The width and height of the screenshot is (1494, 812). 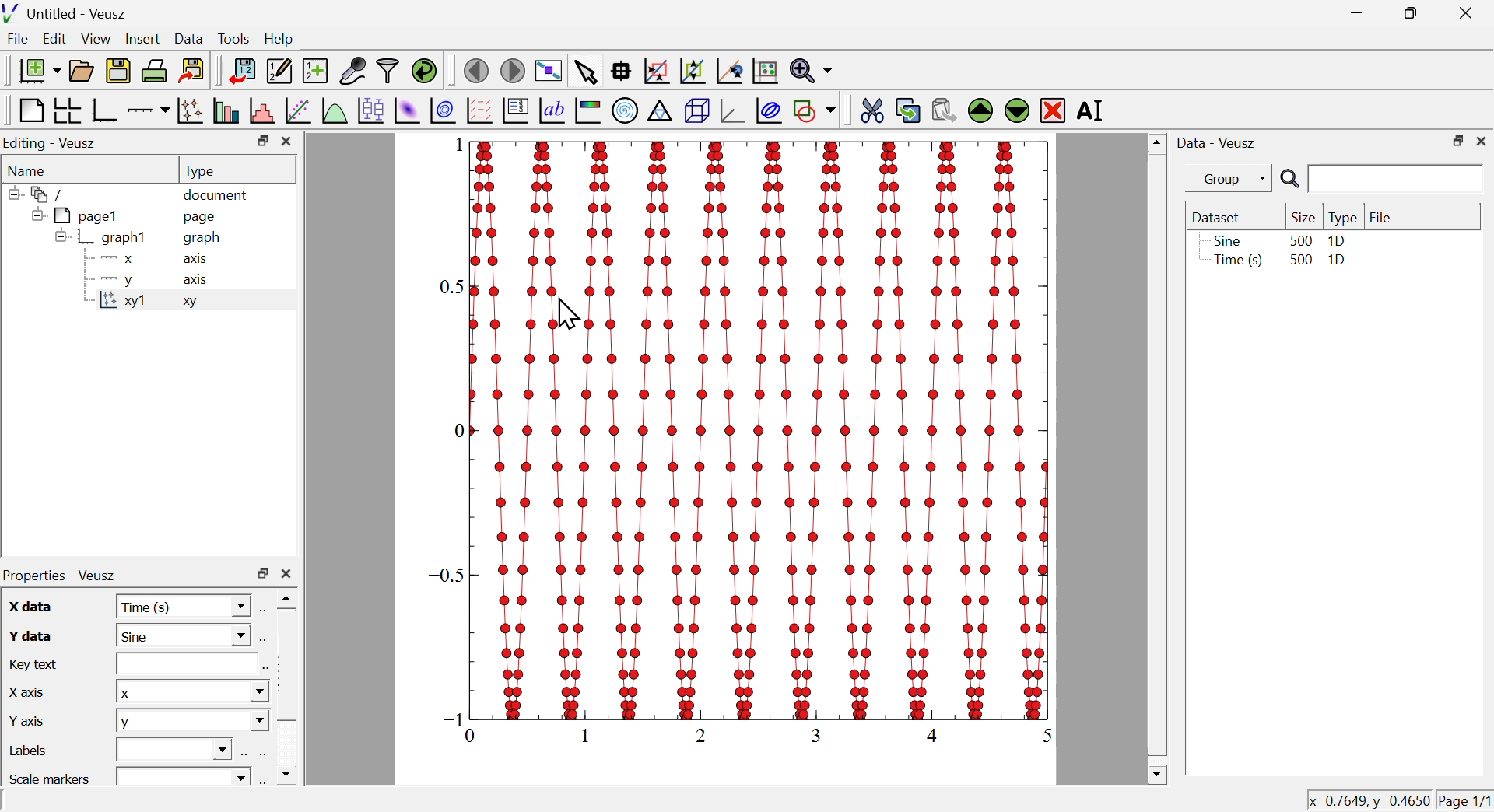 I want to click on plot covariance llipses, so click(x=771, y=110).